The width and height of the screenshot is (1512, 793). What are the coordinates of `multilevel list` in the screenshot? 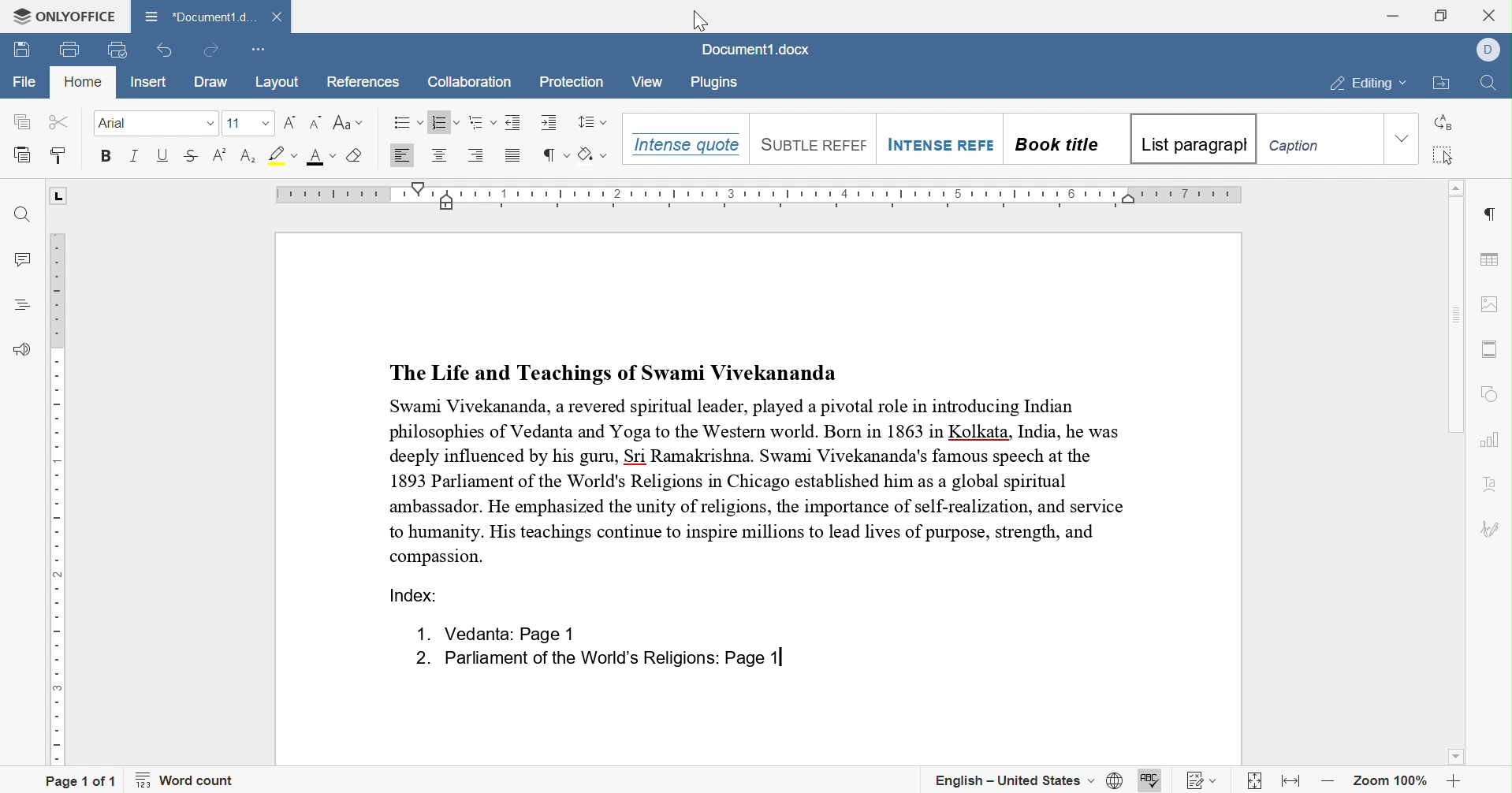 It's located at (482, 122).